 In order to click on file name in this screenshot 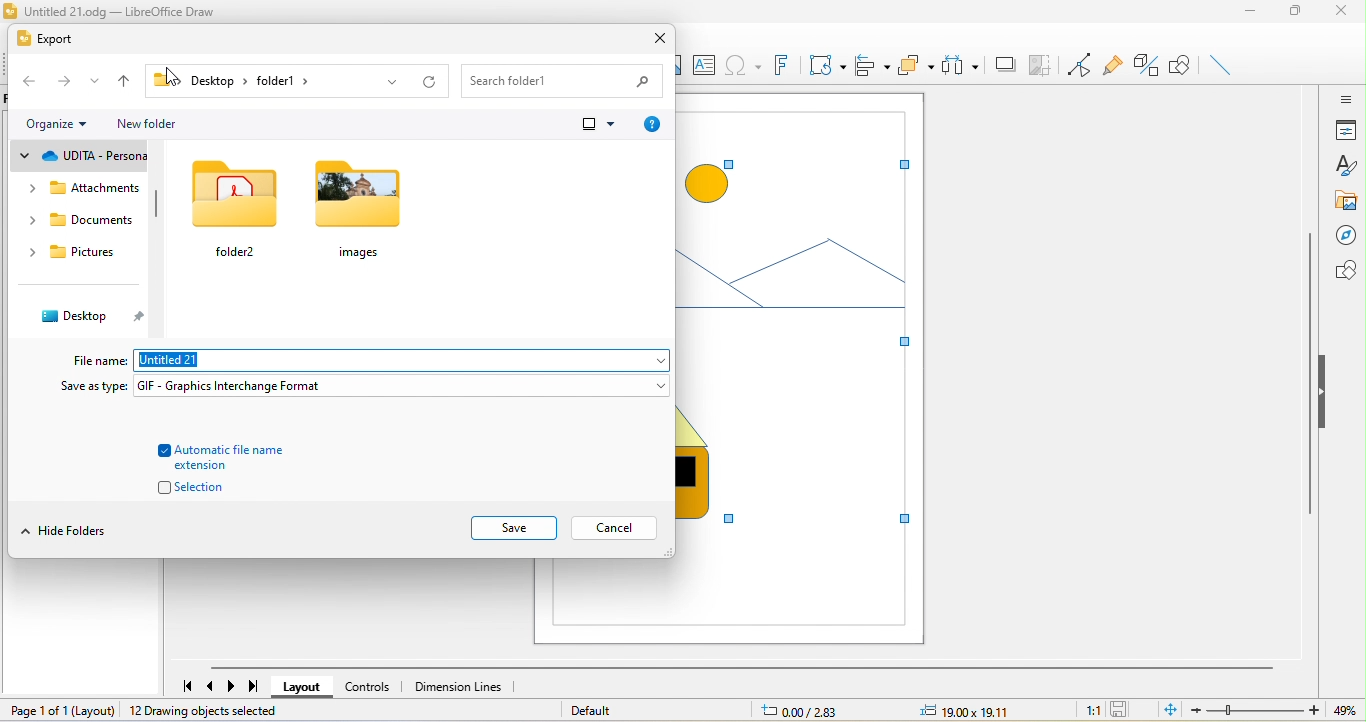, I will do `click(97, 358)`.